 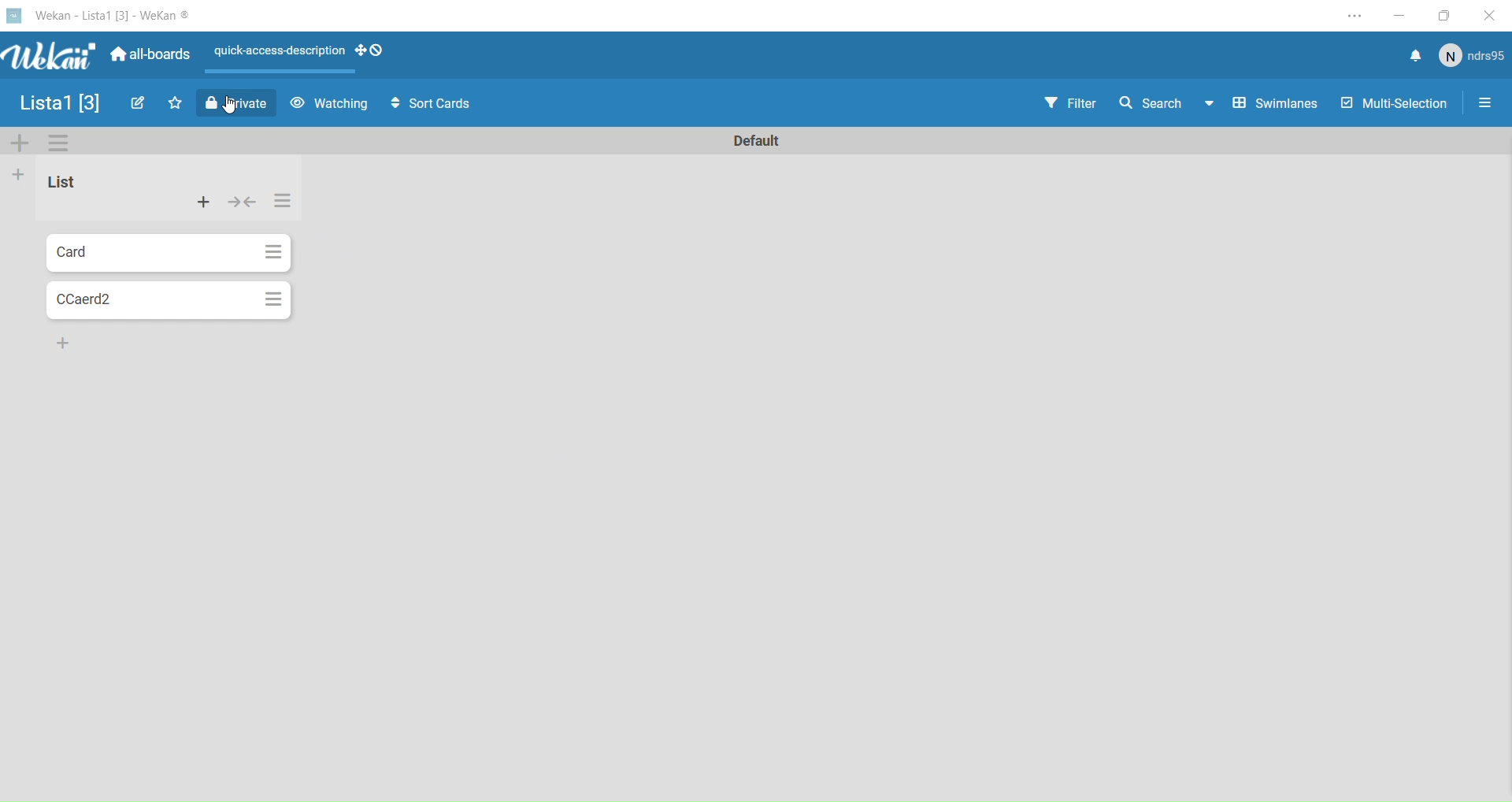 What do you see at coordinates (21, 144) in the screenshot?
I see `Add` at bounding box center [21, 144].